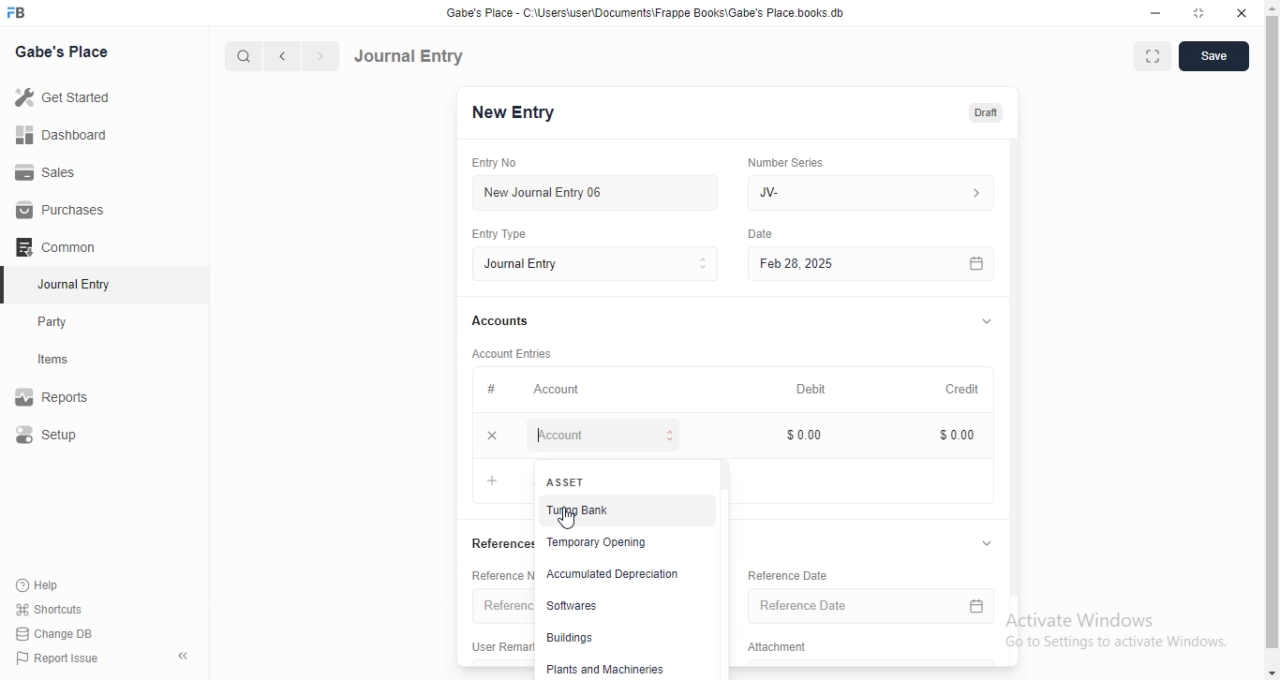 Image resolution: width=1280 pixels, height=680 pixels. Describe the element at coordinates (410, 55) in the screenshot. I see `Journal Entry` at that location.